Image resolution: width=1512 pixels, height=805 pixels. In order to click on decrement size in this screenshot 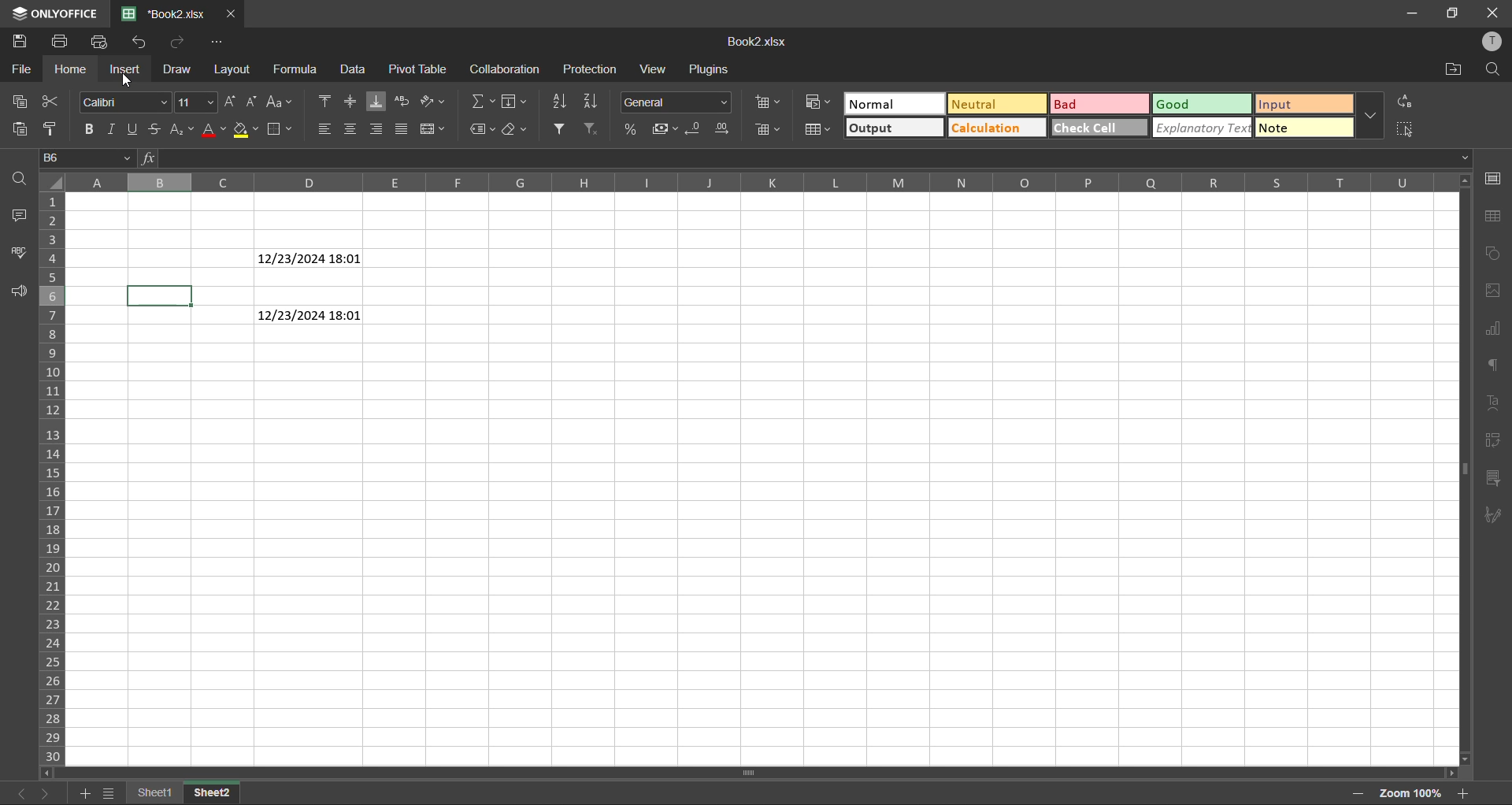, I will do `click(252, 102)`.